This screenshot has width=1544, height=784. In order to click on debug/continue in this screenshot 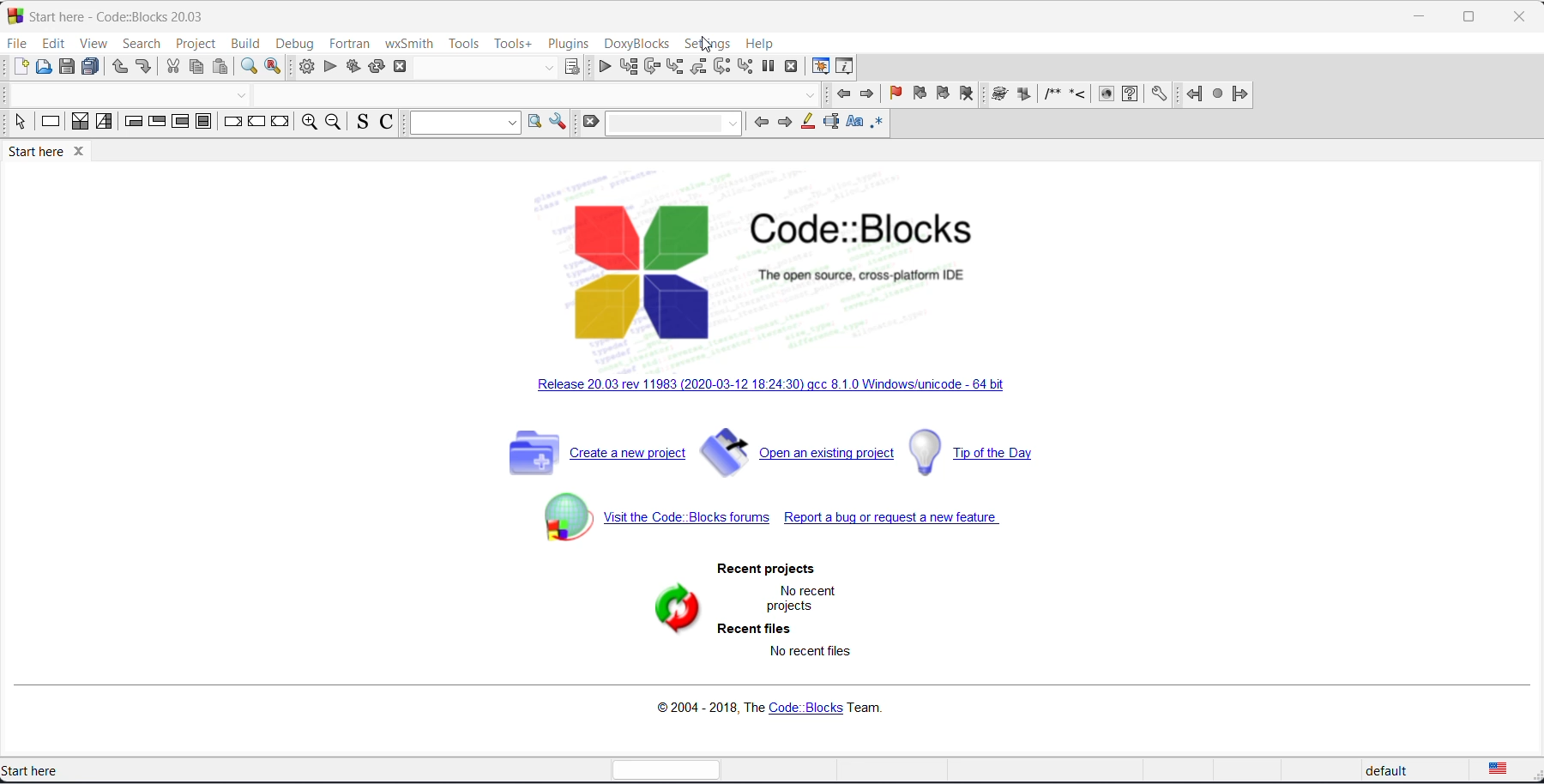, I will do `click(603, 67)`.